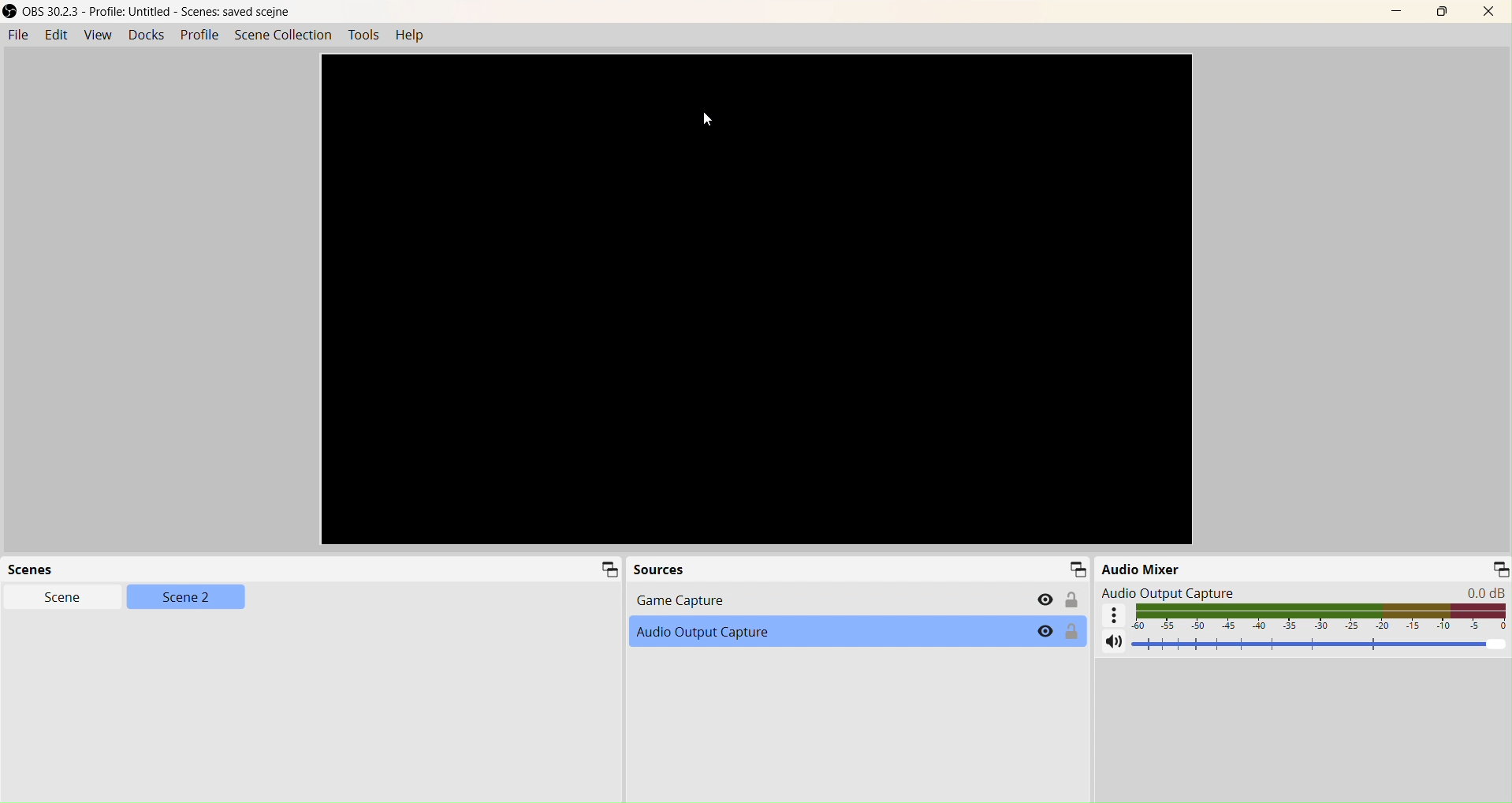  Describe the element at coordinates (186, 598) in the screenshot. I see `Scene2` at that location.